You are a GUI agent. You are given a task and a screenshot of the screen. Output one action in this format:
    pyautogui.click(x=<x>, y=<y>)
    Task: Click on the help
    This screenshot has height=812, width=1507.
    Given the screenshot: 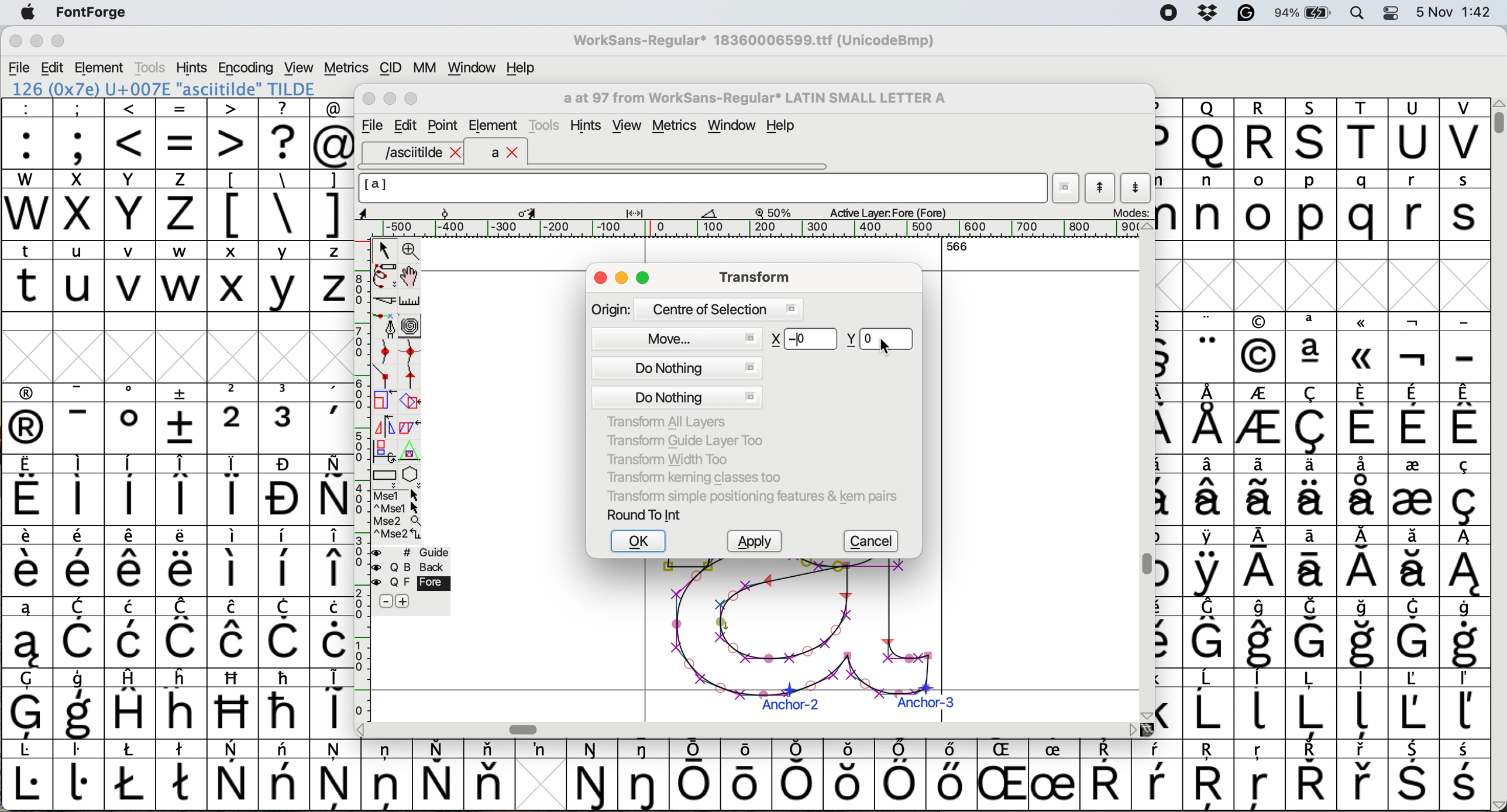 What is the action you would take?
    pyautogui.click(x=522, y=67)
    